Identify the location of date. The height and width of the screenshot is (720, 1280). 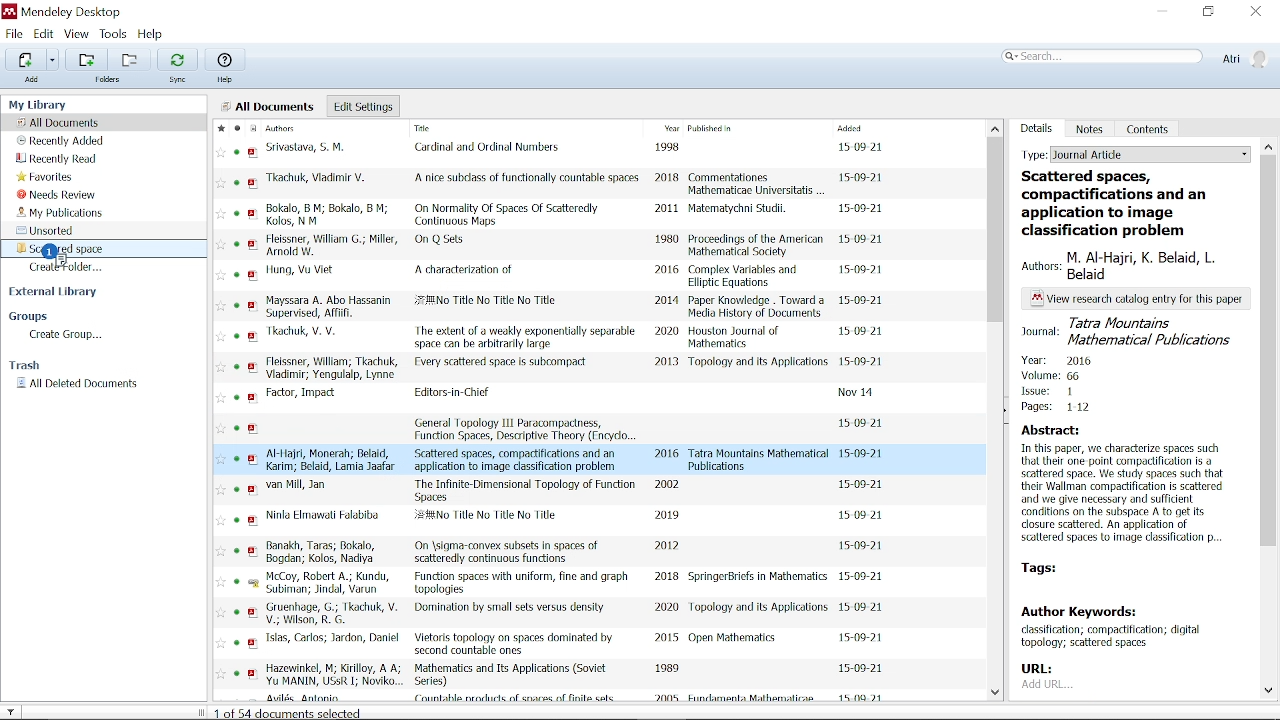
(862, 180).